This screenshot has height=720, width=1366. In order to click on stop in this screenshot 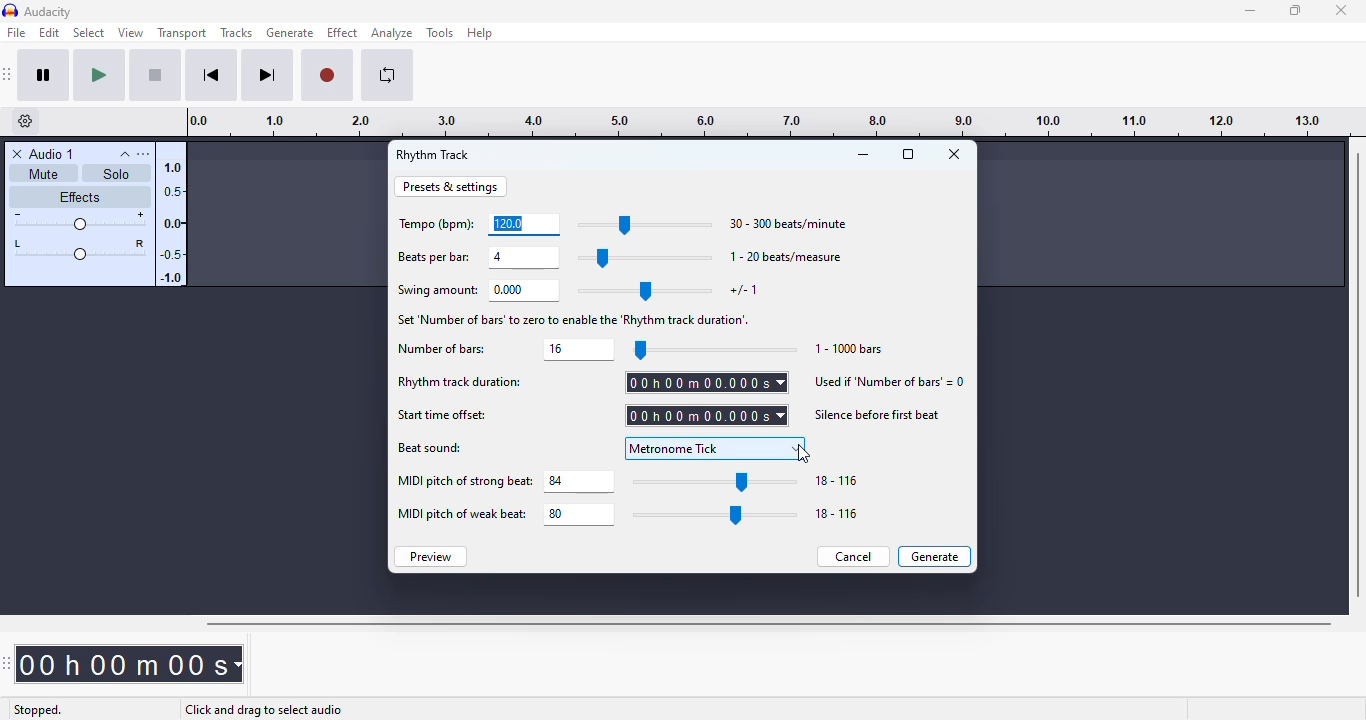, I will do `click(155, 75)`.